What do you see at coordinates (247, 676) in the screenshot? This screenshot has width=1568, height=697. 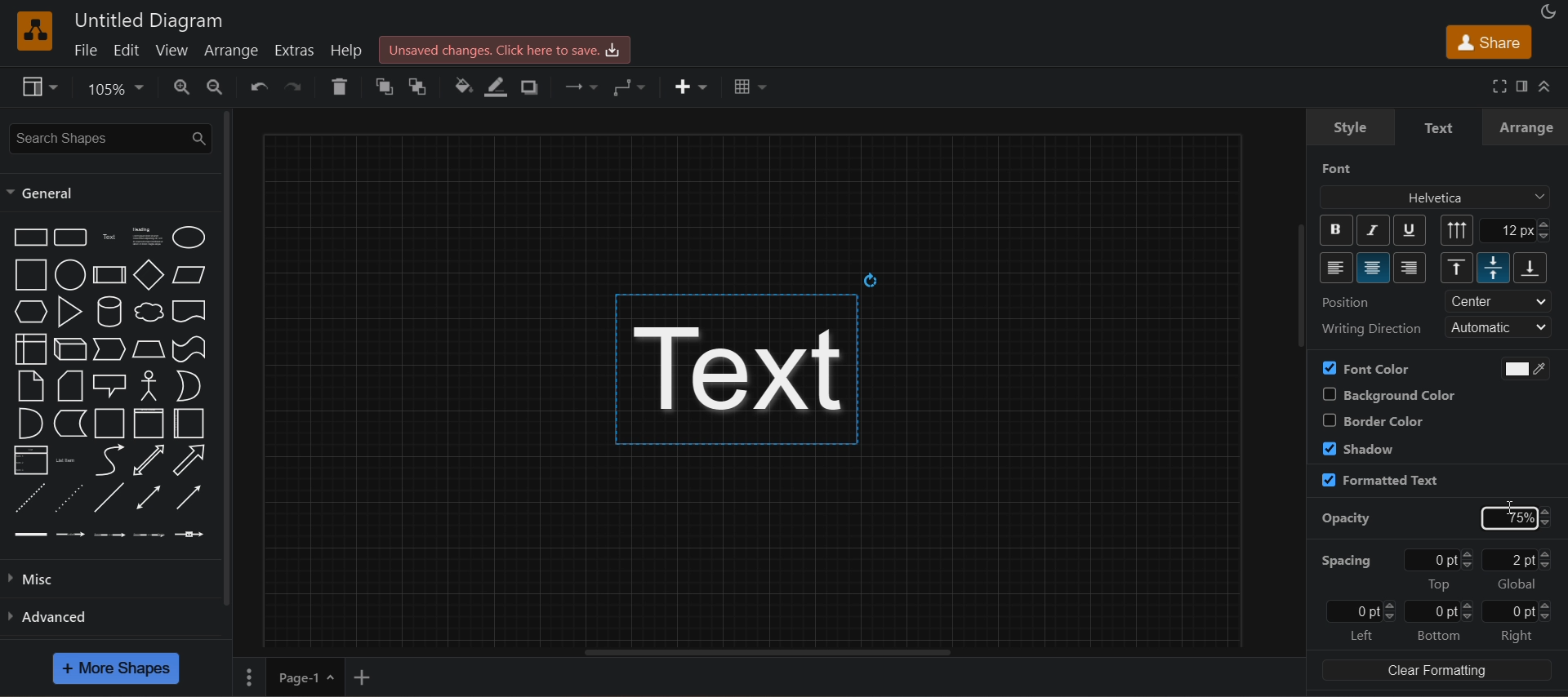 I see `pages` at bounding box center [247, 676].